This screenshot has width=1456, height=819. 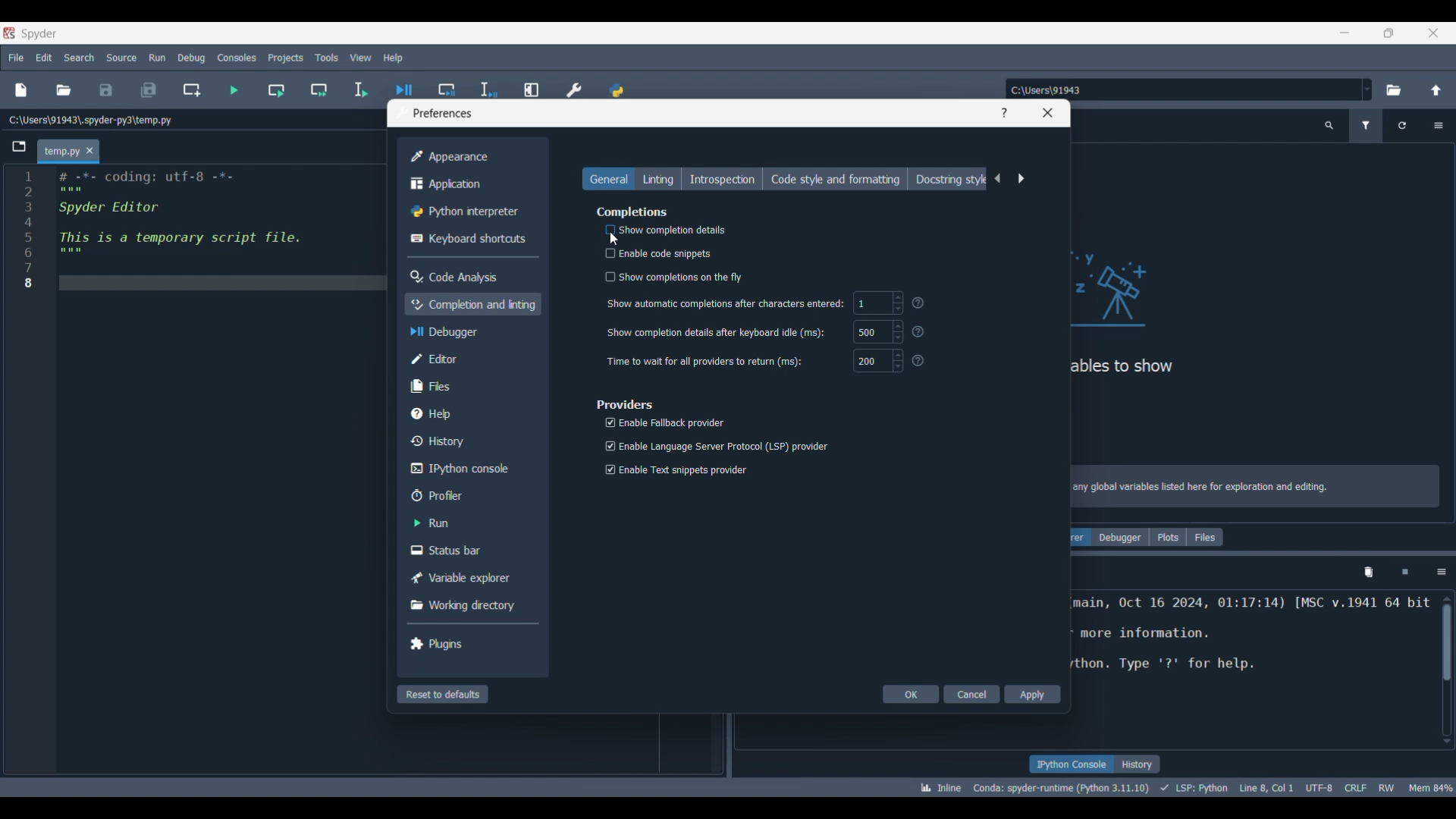 I want to click on Application, so click(x=469, y=184).